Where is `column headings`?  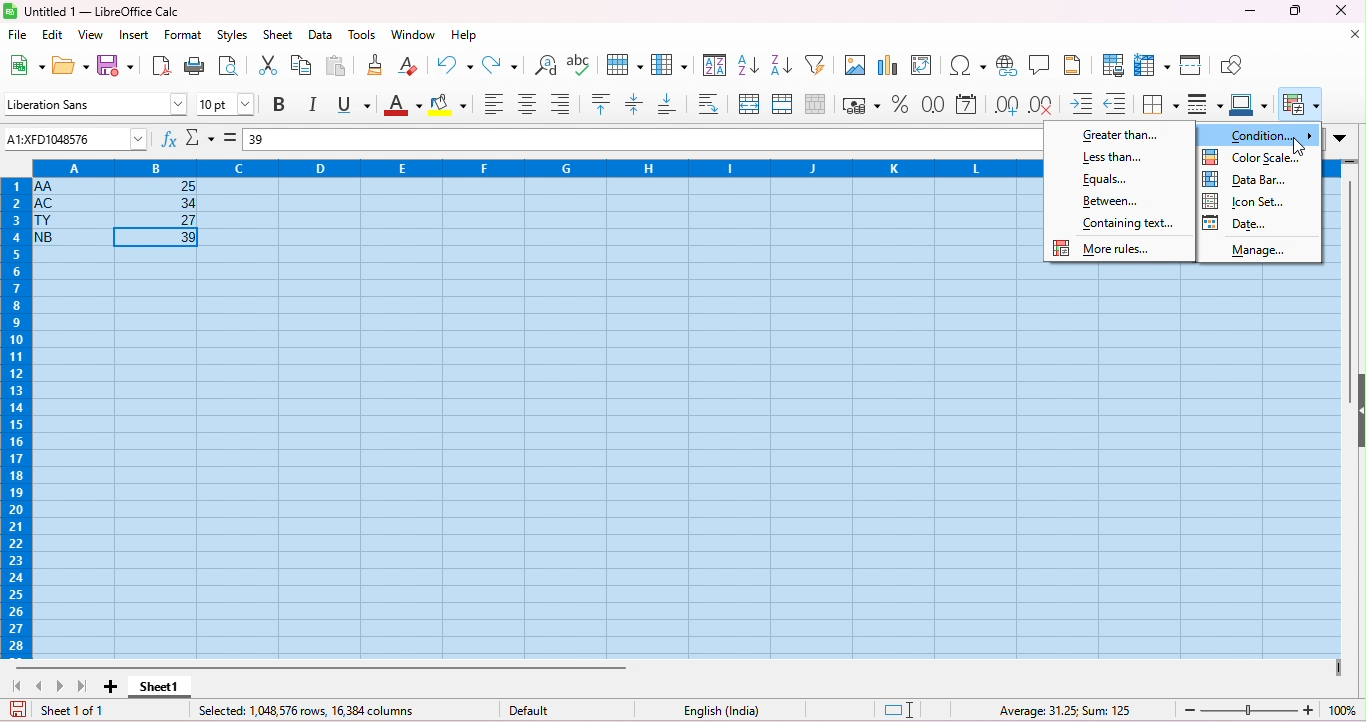
column headings is located at coordinates (535, 168).